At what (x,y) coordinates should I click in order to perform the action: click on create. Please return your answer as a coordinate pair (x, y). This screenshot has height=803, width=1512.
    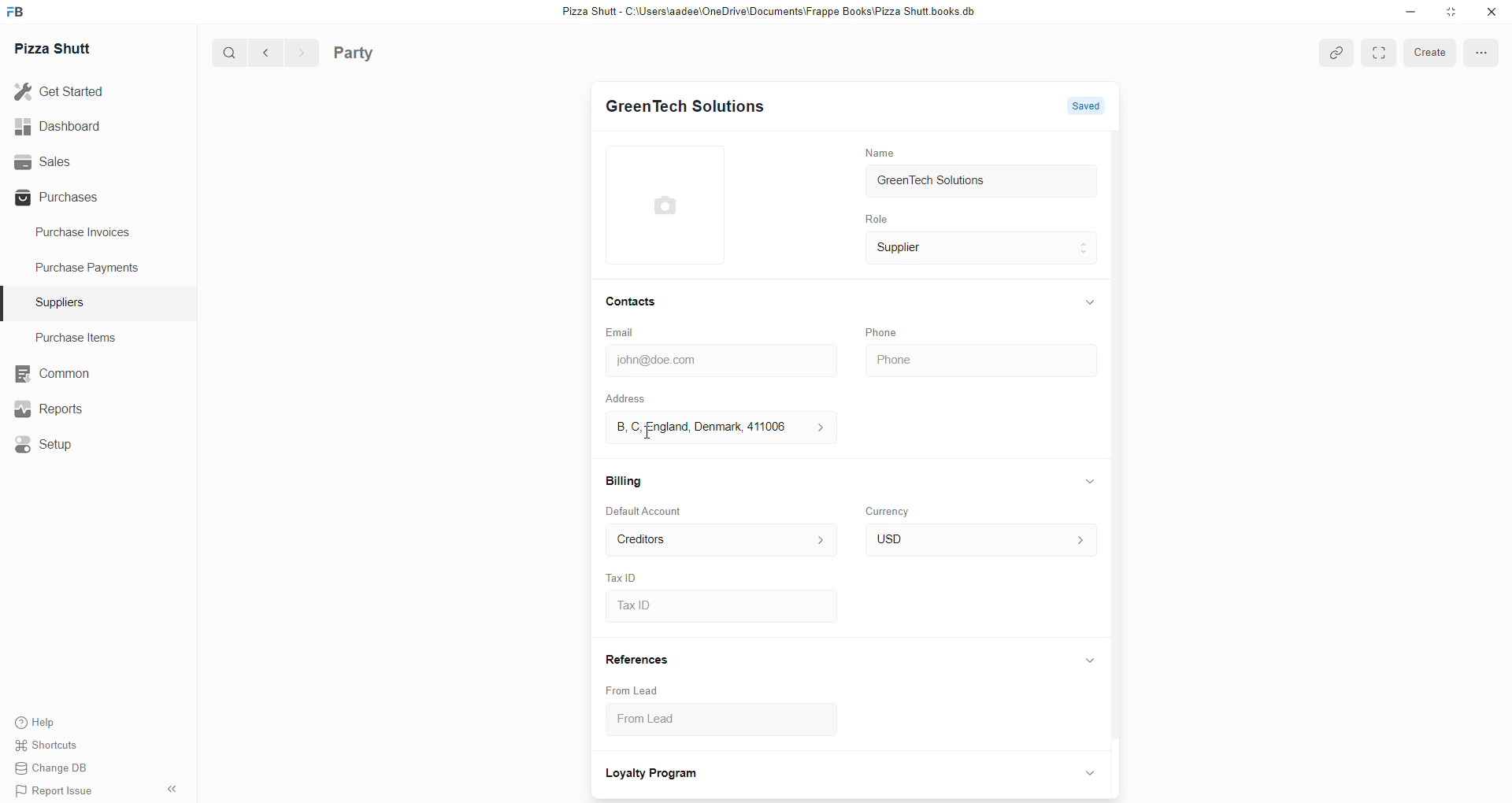
    Looking at the image, I should click on (1425, 52).